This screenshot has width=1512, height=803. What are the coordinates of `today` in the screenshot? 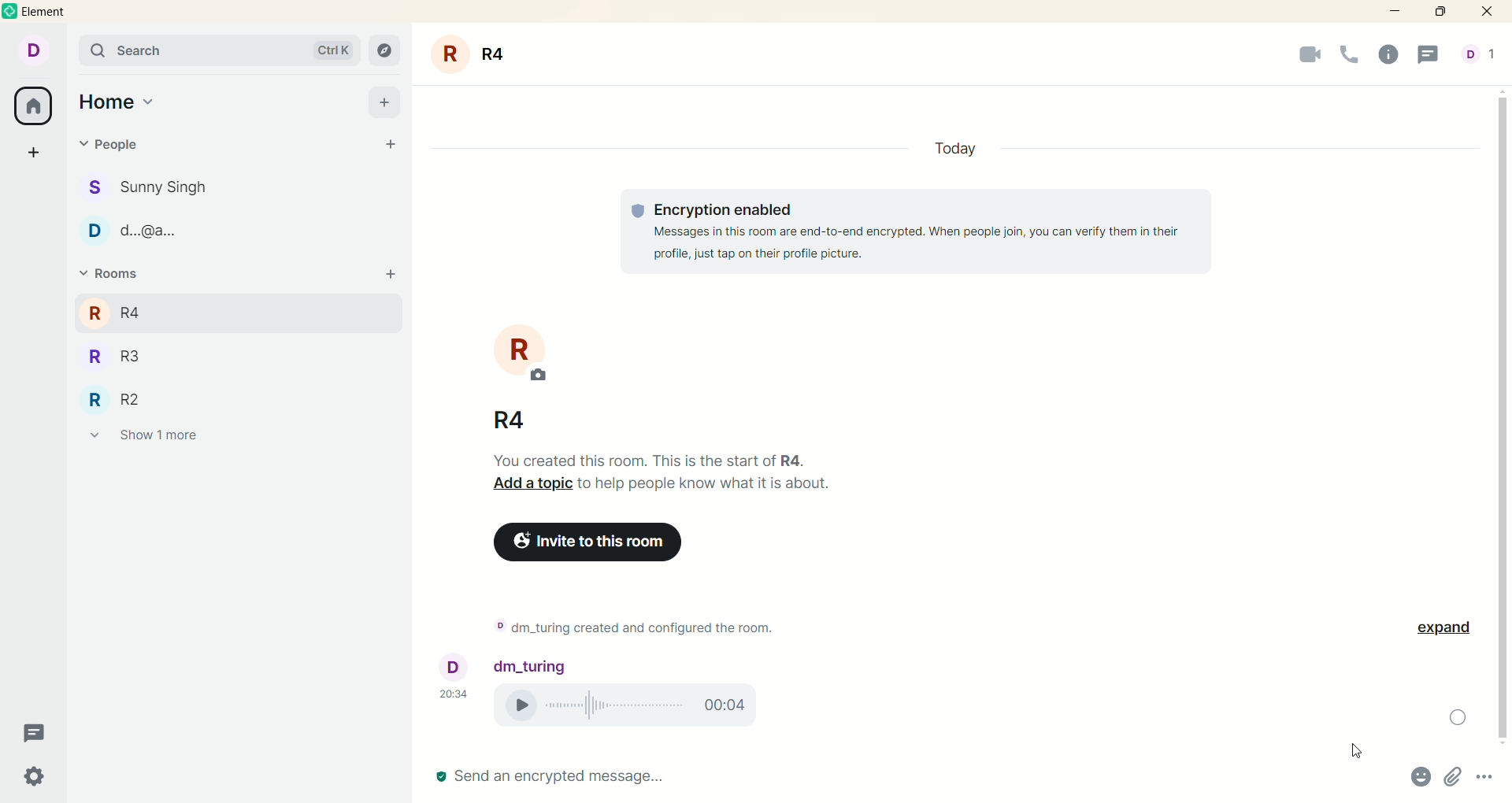 It's located at (962, 145).